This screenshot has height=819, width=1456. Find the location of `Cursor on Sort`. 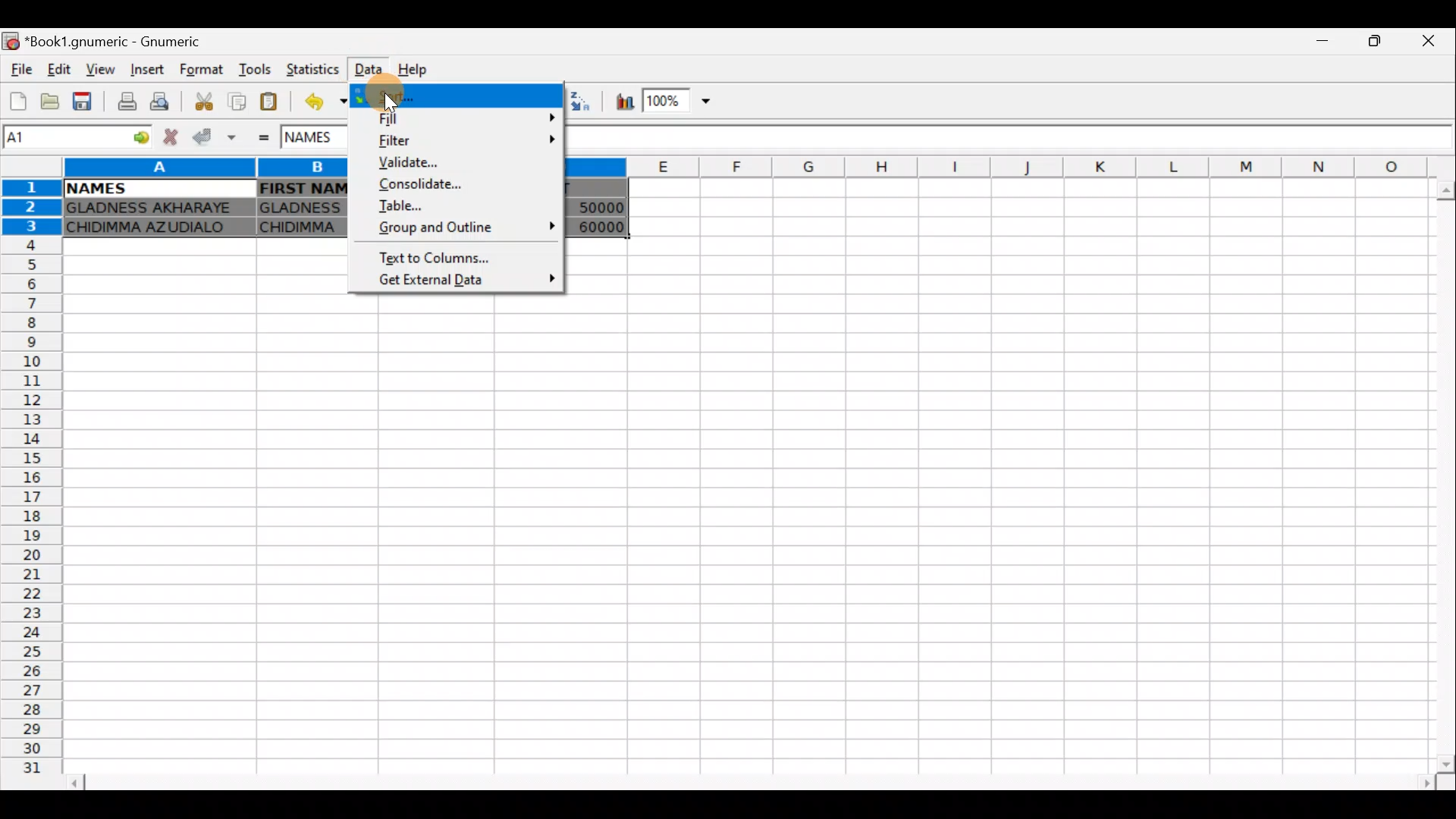

Cursor on Sort is located at coordinates (409, 93).